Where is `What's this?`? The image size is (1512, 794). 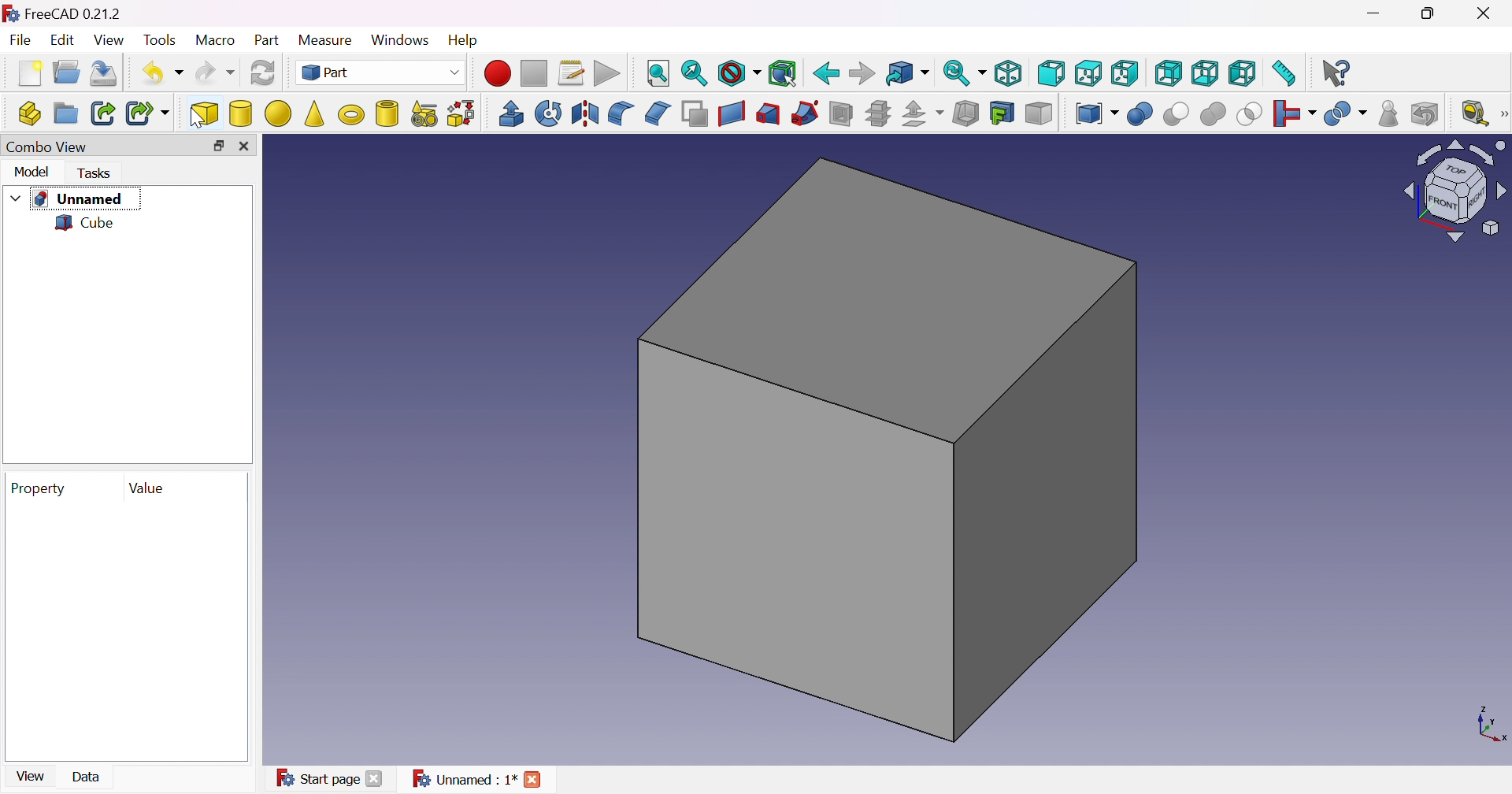
What's this? is located at coordinates (1337, 72).